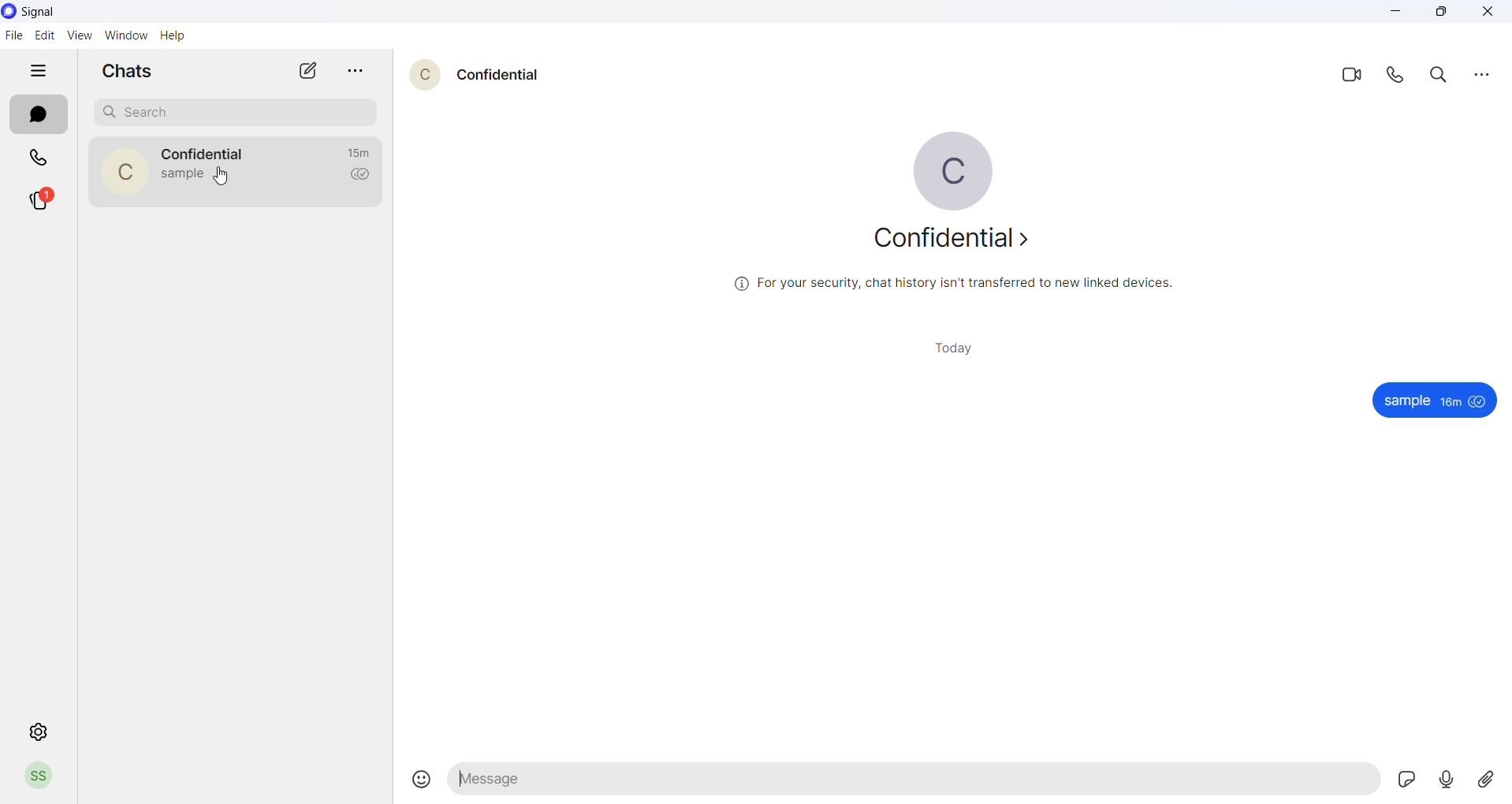 The width and height of the screenshot is (1512, 804). Describe the element at coordinates (954, 240) in the screenshot. I see `confidential` at that location.